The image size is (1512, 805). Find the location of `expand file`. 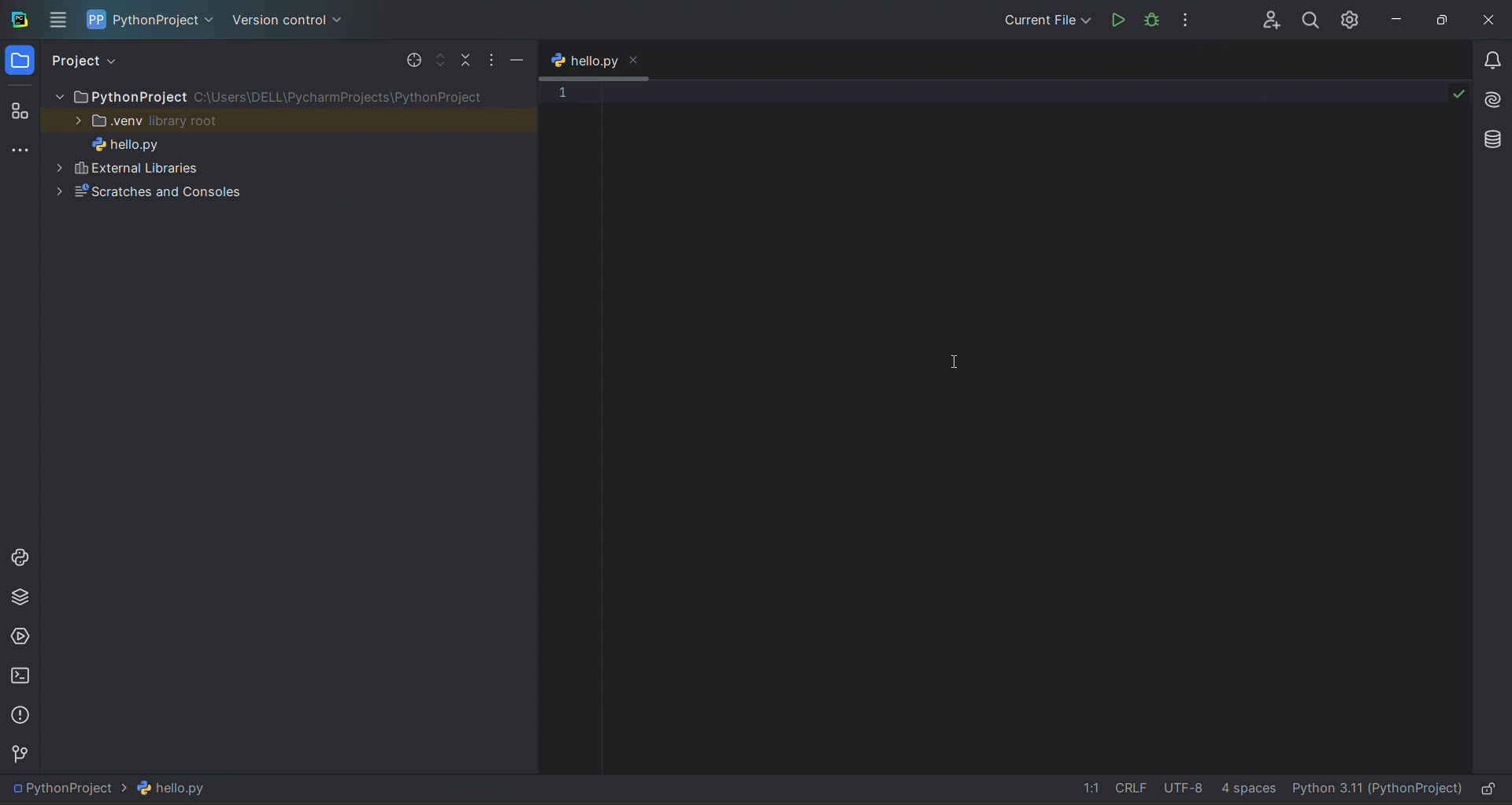

expand file is located at coordinates (439, 62).